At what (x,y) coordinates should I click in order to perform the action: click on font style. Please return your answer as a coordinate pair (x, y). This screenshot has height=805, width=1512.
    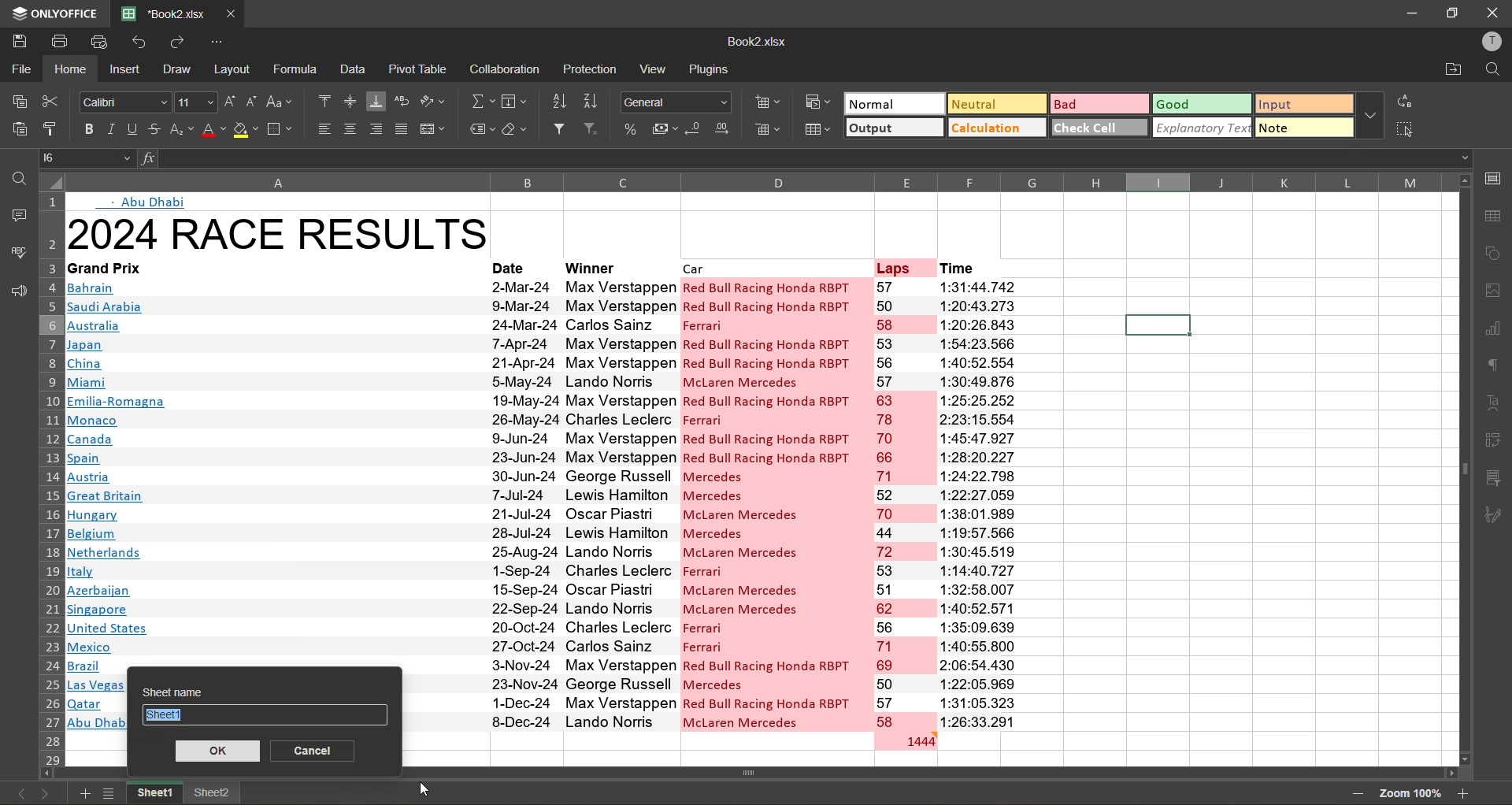
    Looking at the image, I should click on (123, 100).